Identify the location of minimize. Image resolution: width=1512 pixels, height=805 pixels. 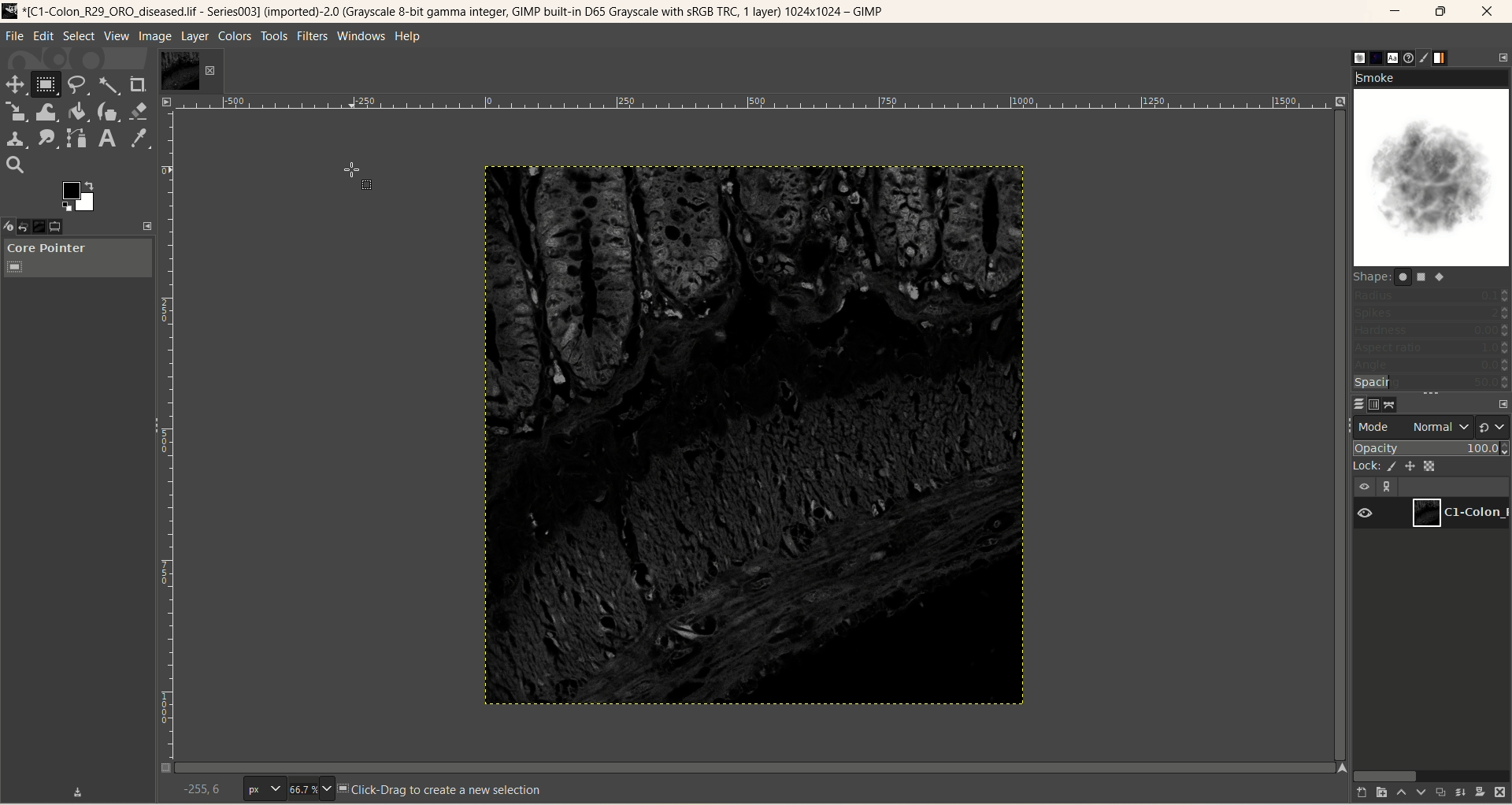
(1396, 10).